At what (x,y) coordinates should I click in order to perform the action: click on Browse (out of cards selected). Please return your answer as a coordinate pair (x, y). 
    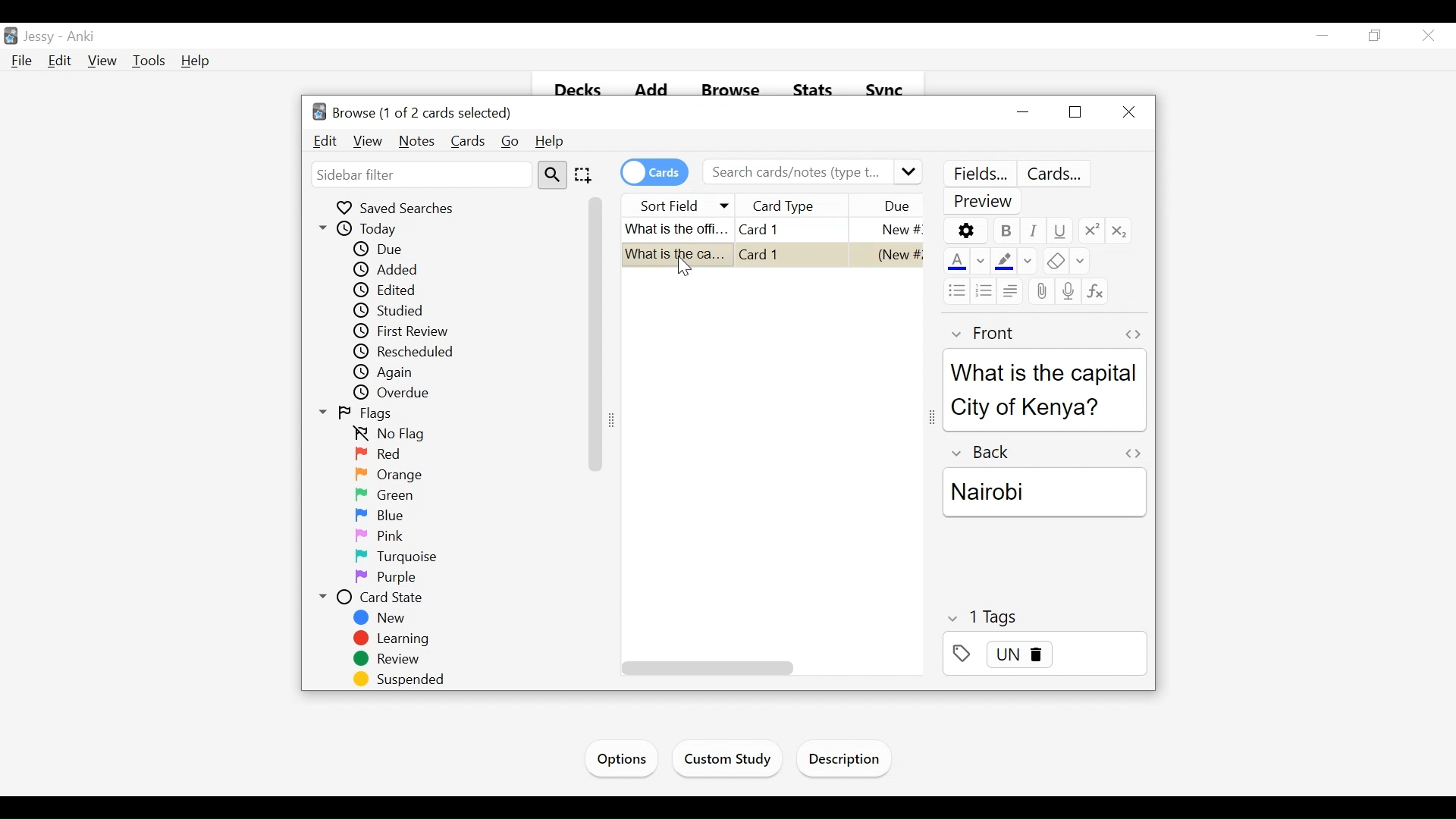
    Looking at the image, I should click on (415, 113).